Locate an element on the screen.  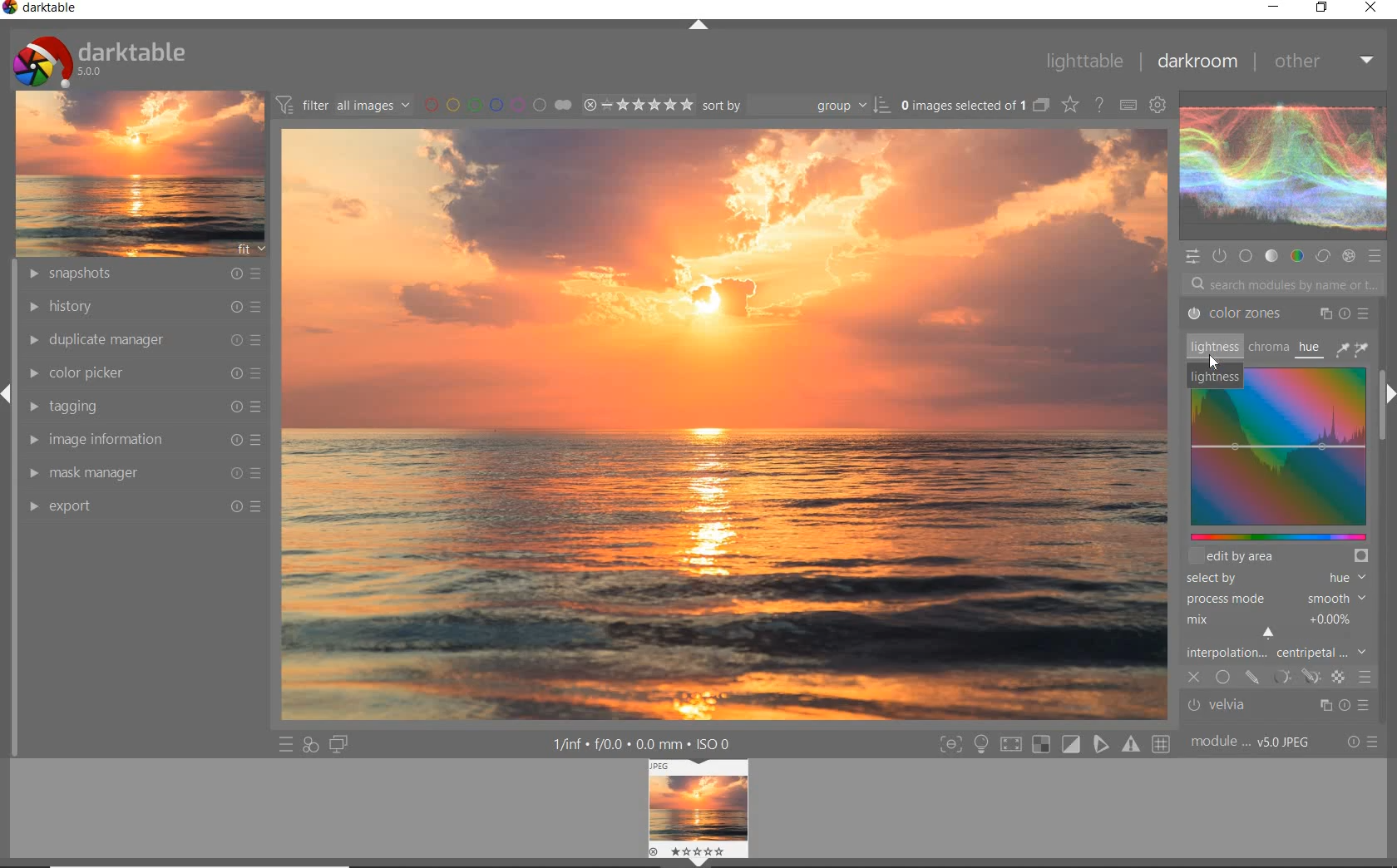
OTHER INTERFACE DETAIL is located at coordinates (645, 744).